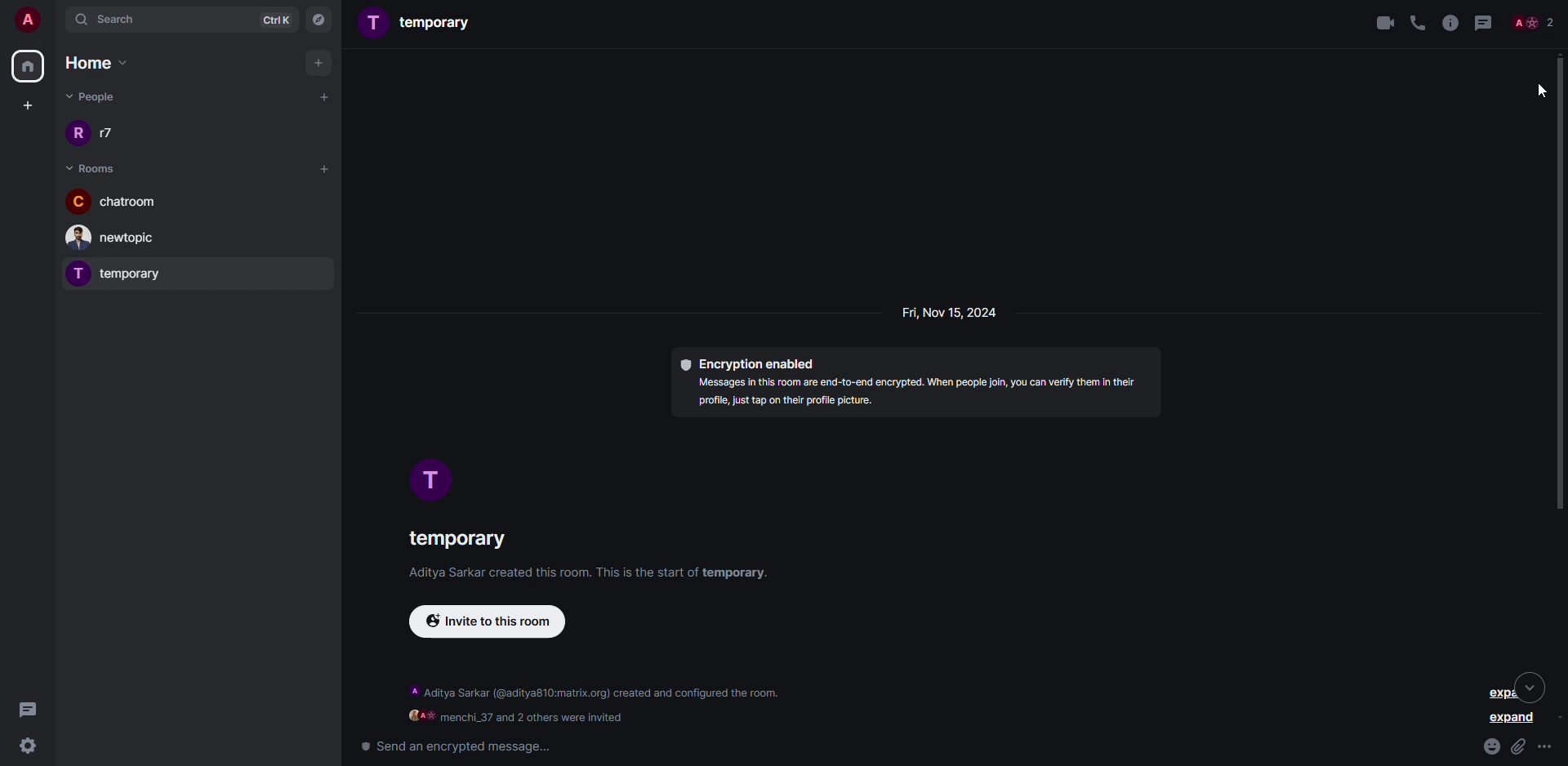  Describe the element at coordinates (1513, 720) in the screenshot. I see `expand` at that location.